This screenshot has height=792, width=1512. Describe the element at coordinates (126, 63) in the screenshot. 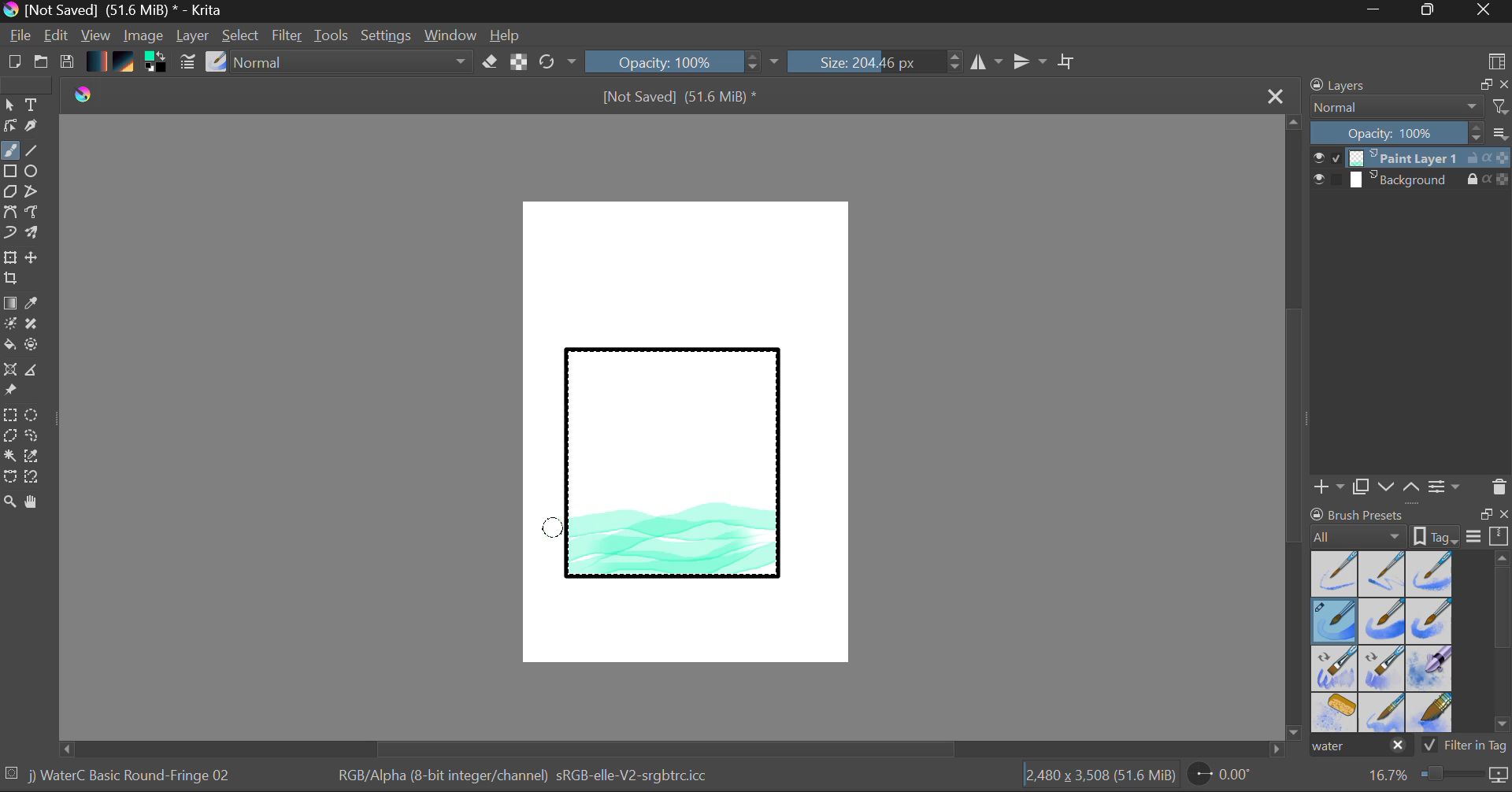

I see `Pattern` at that location.